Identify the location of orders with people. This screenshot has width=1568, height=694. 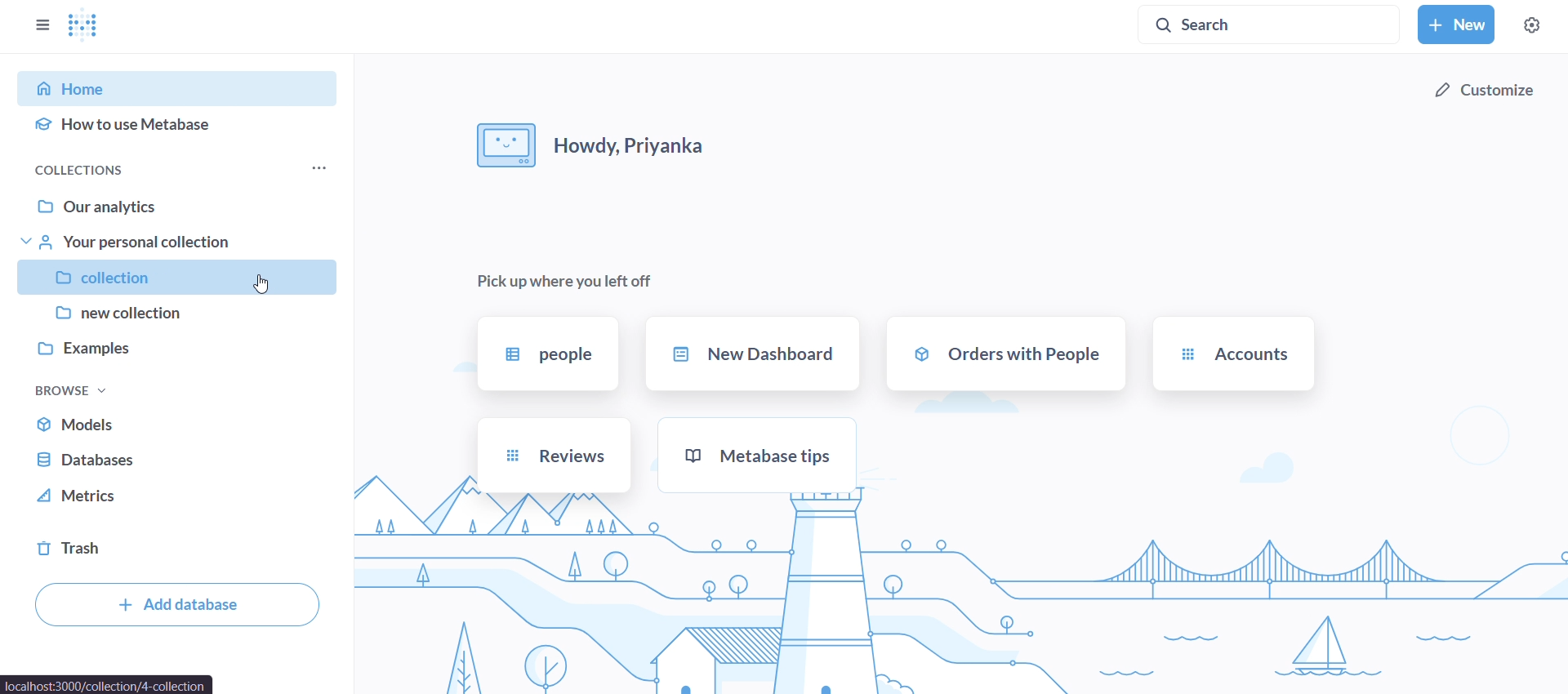
(1007, 355).